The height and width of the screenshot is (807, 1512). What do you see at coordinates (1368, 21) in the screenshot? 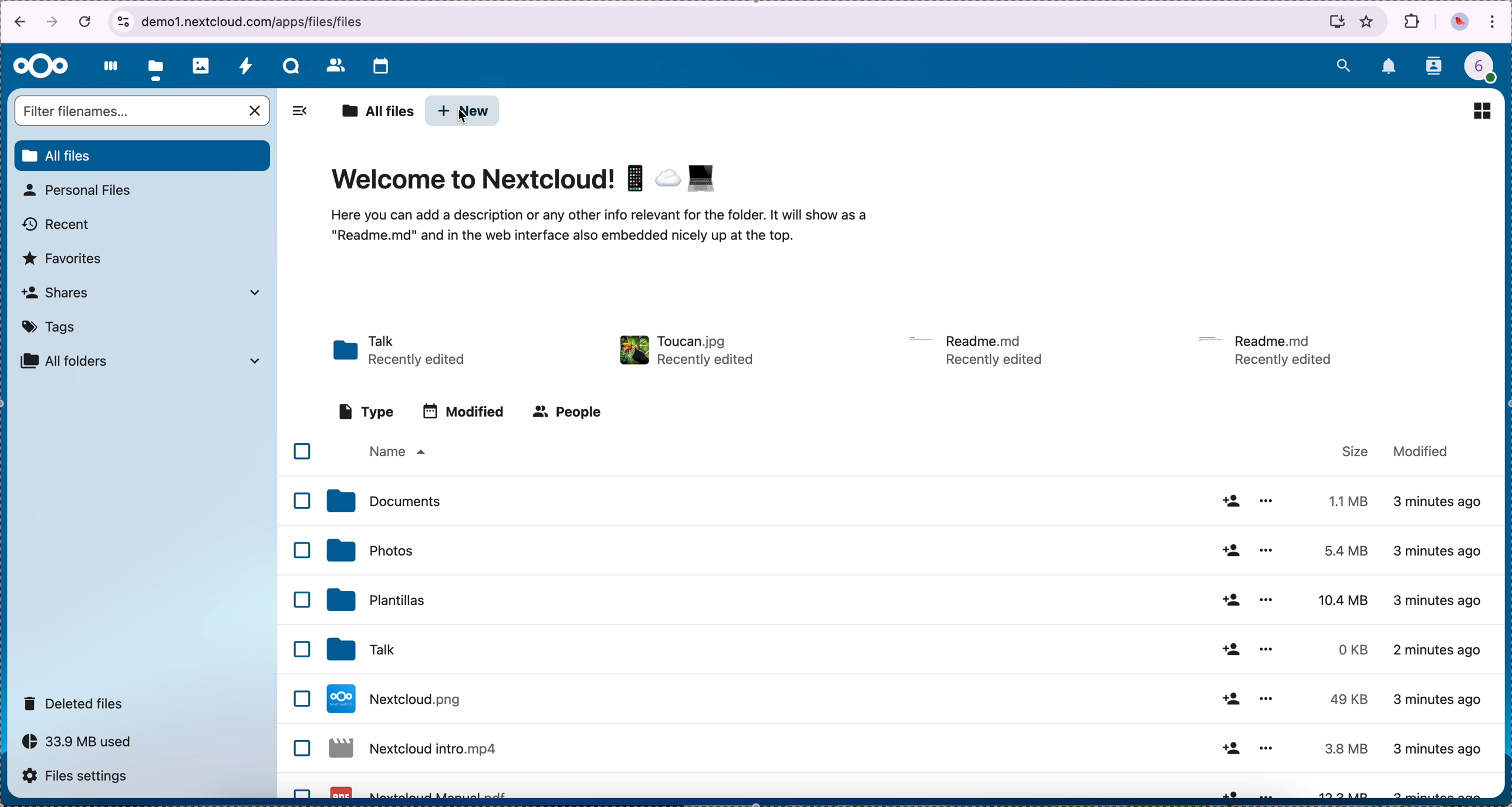
I see `favorites` at bounding box center [1368, 21].